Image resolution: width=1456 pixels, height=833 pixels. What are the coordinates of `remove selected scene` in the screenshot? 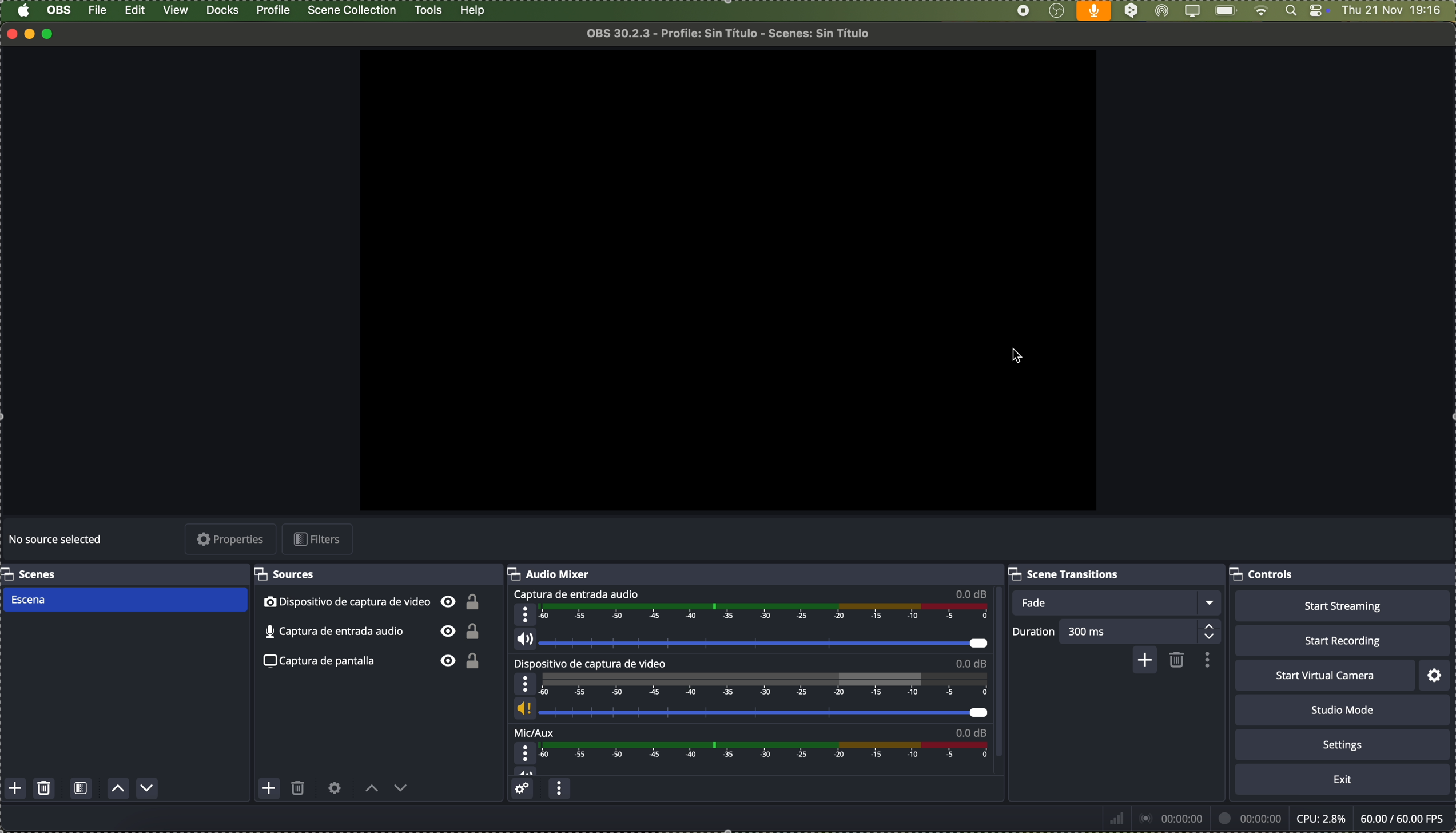 It's located at (45, 789).